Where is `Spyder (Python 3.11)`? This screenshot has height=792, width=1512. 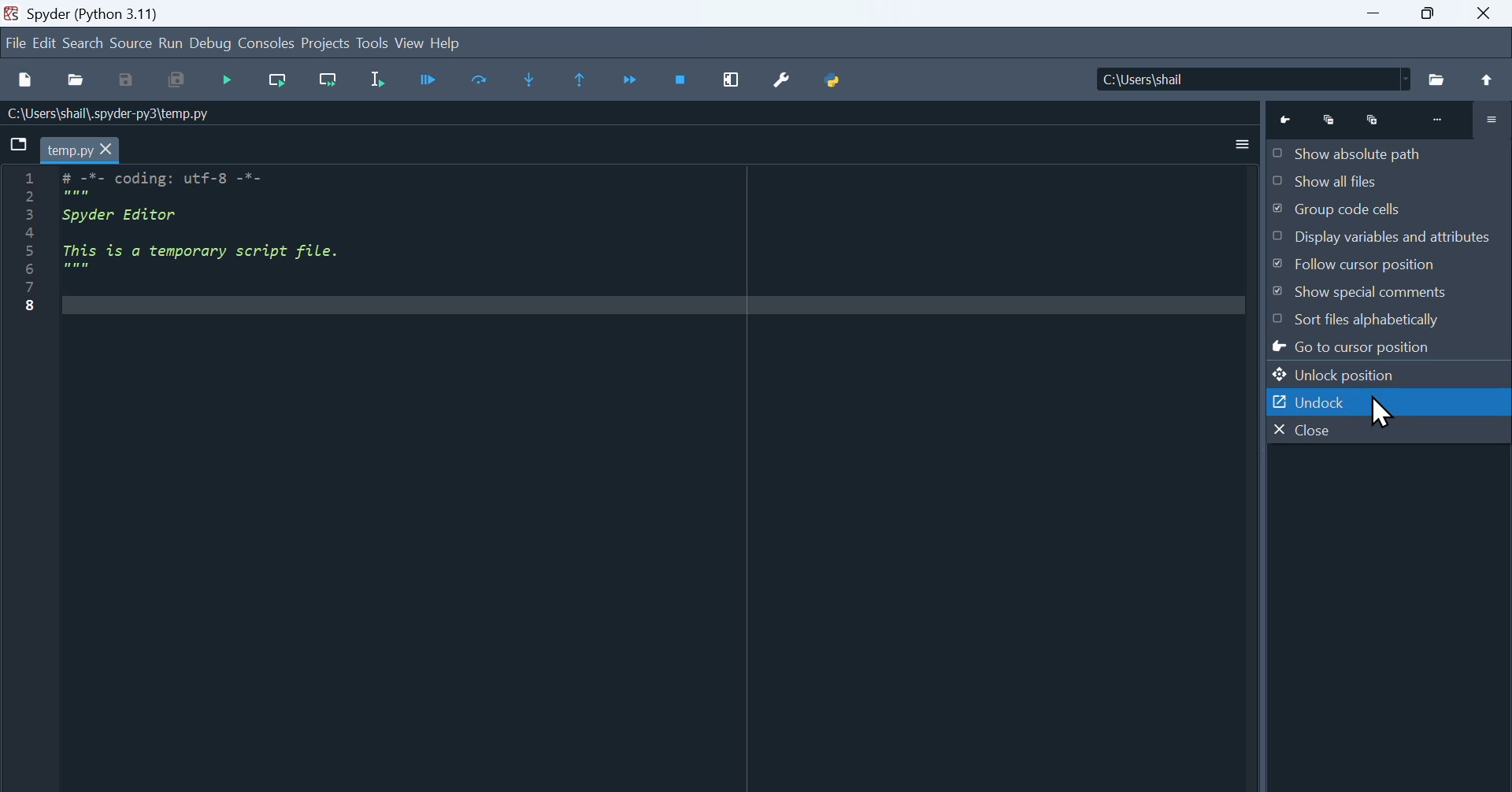
Spyder (Python 3.11) is located at coordinates (99, 13).